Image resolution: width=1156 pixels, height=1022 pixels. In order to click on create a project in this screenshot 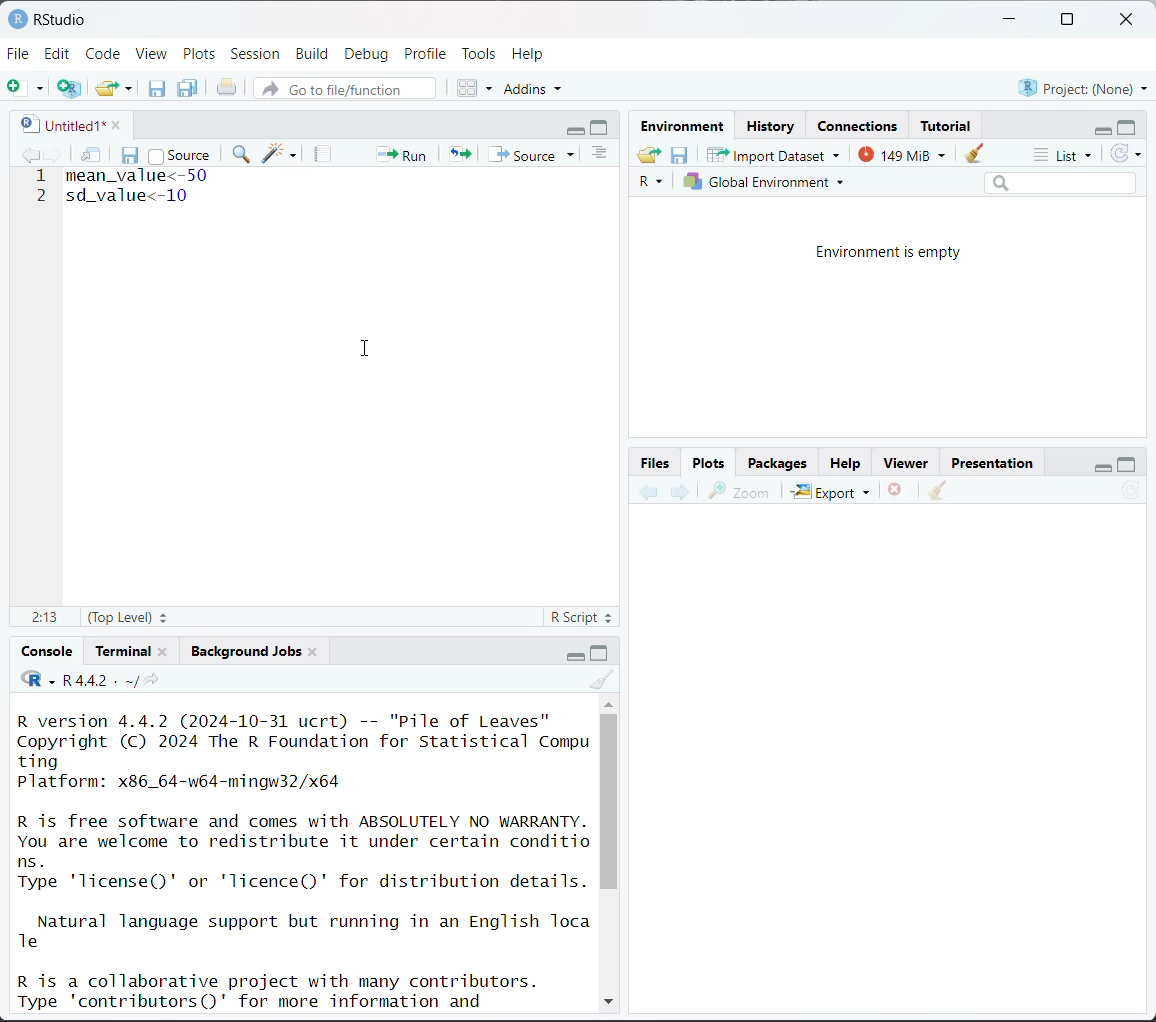, I will do `click(69, 88)`.